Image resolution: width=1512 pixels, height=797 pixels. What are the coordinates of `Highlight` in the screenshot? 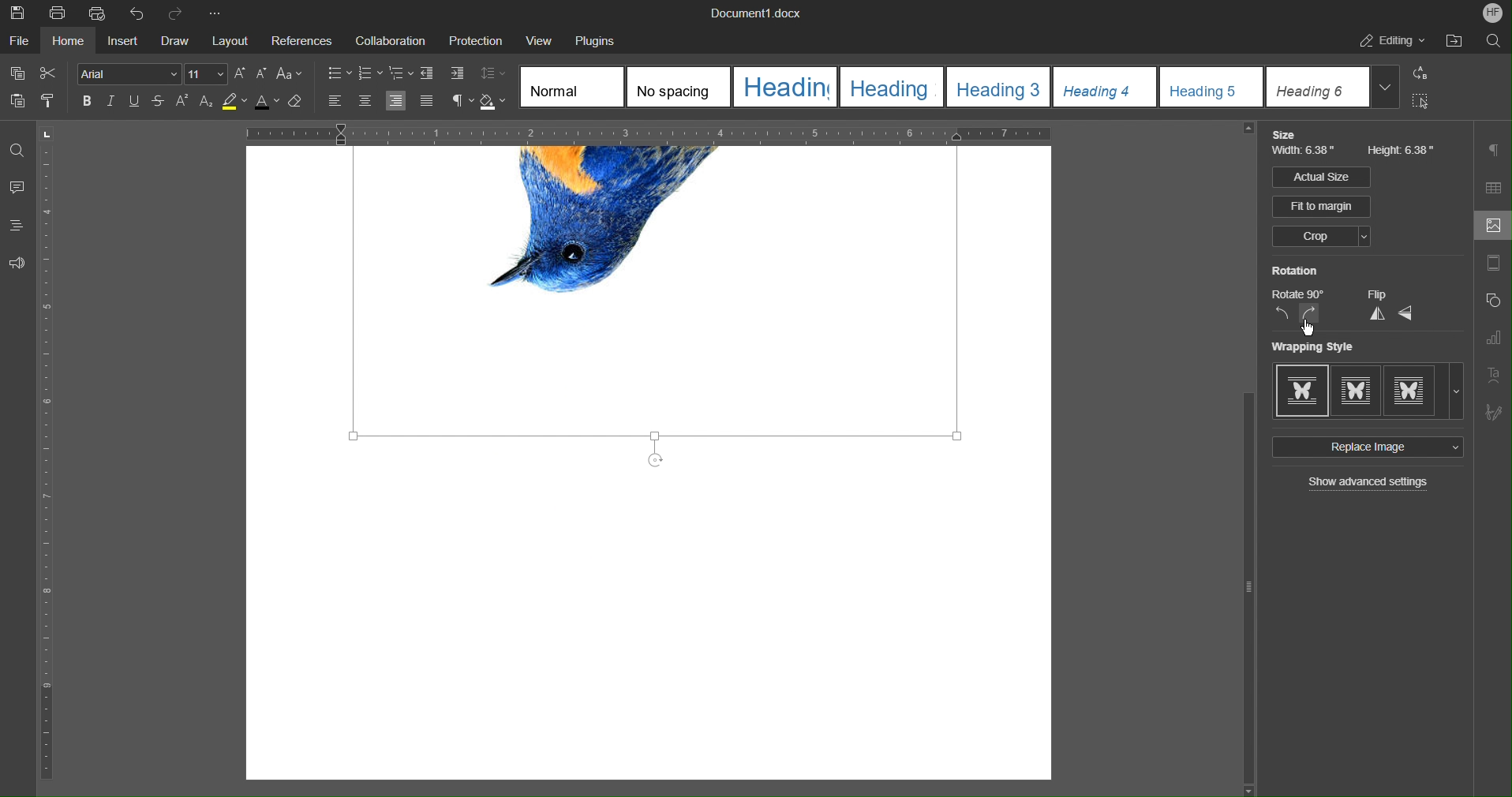 It's located at (234, 103).